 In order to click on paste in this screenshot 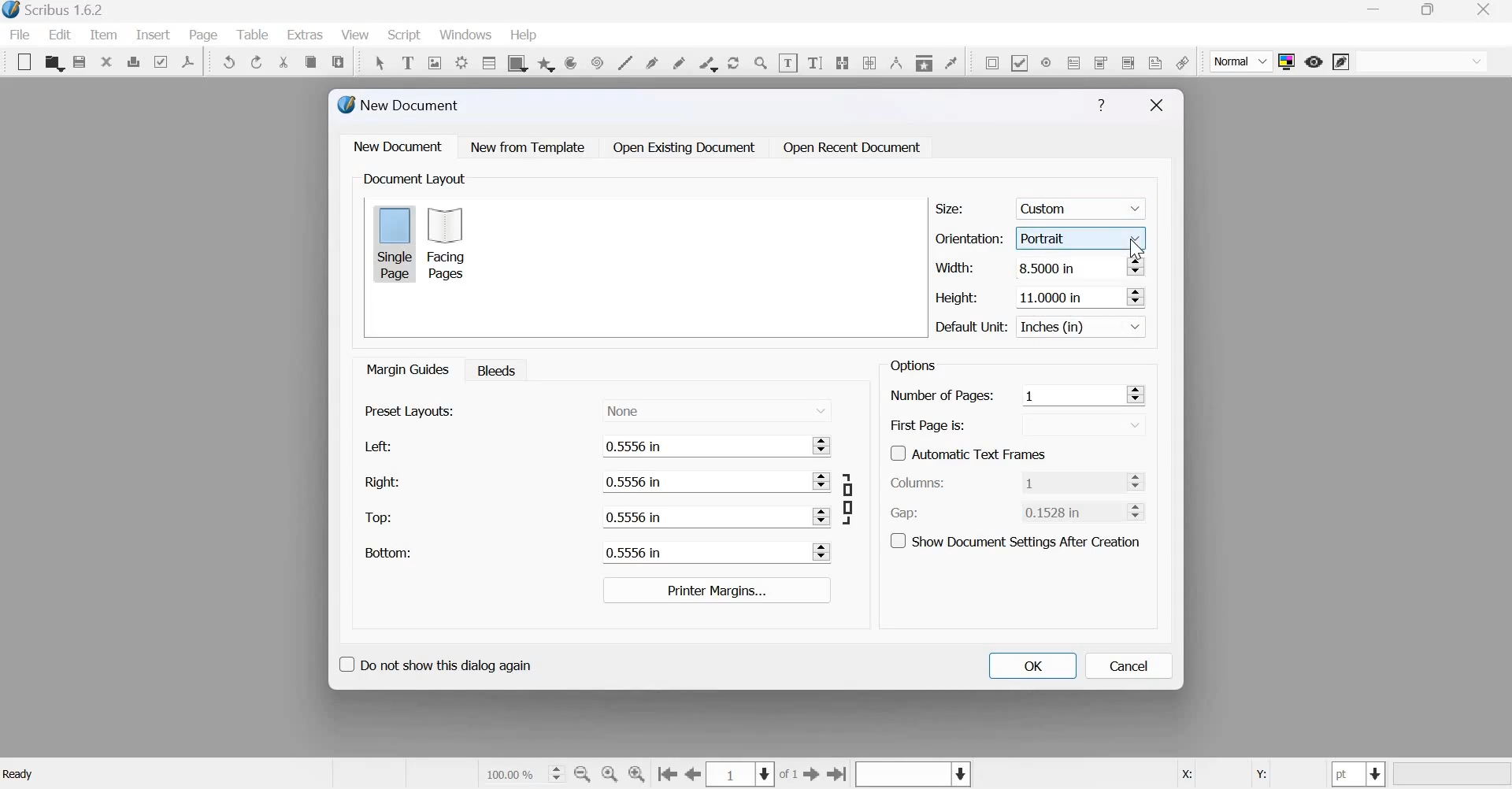, I will do `click(339, 60)`.